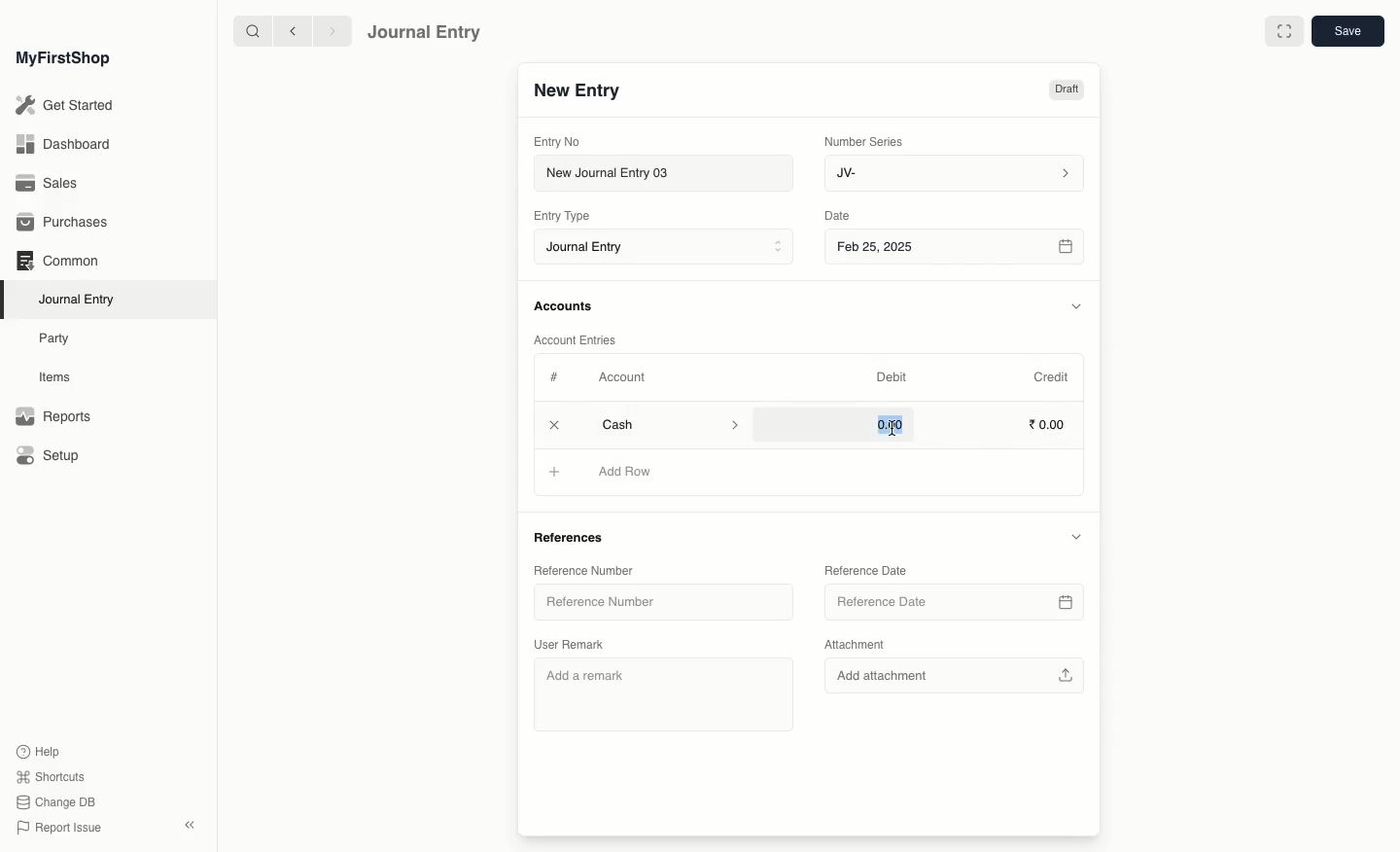  What do you see at coordinates (838, 216) in the screenshot?
I see `Date` at bounding box center [838, 216].